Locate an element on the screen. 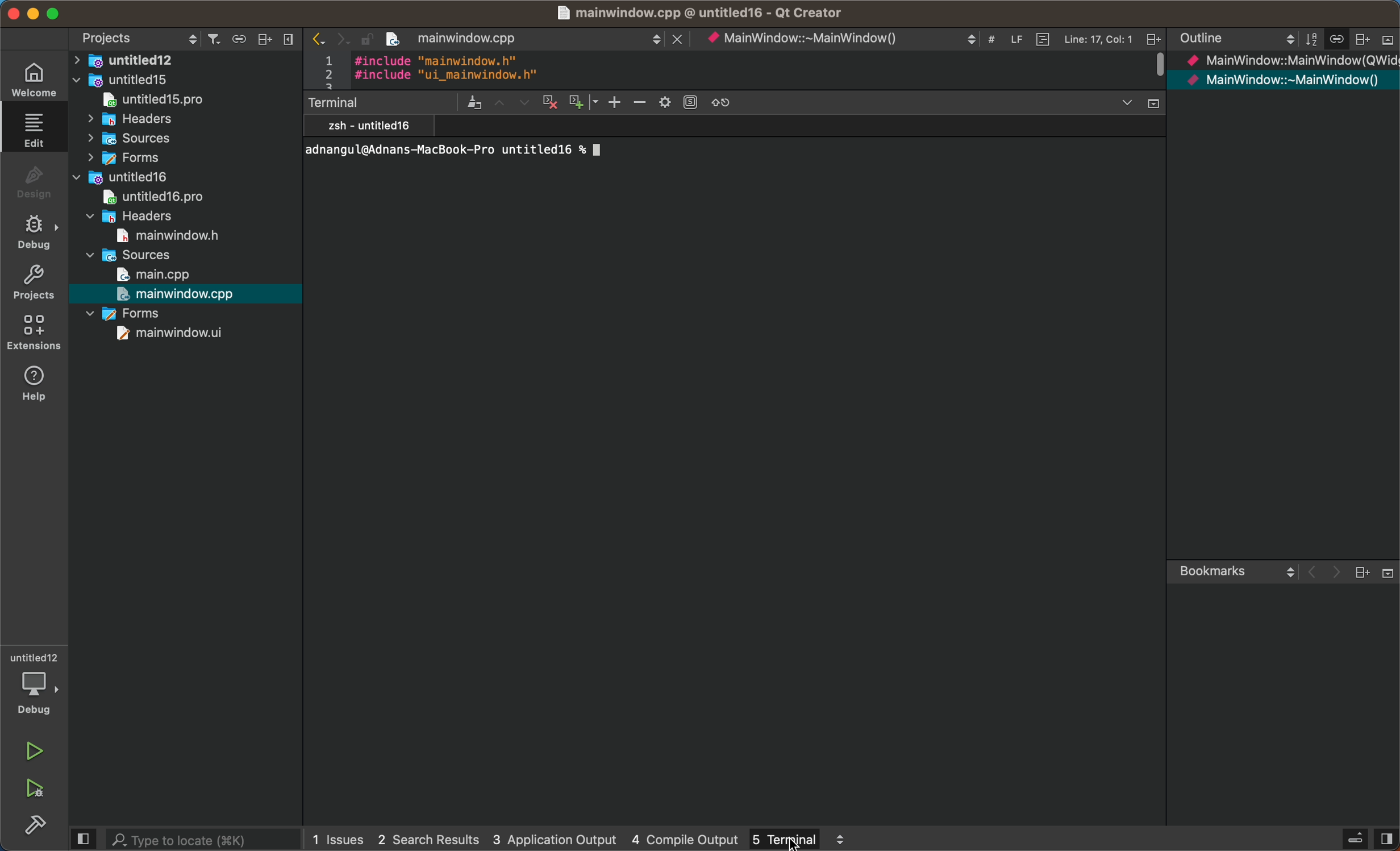 This screenshot has height=851, width=1400. run is located at coordinates (34, 747).